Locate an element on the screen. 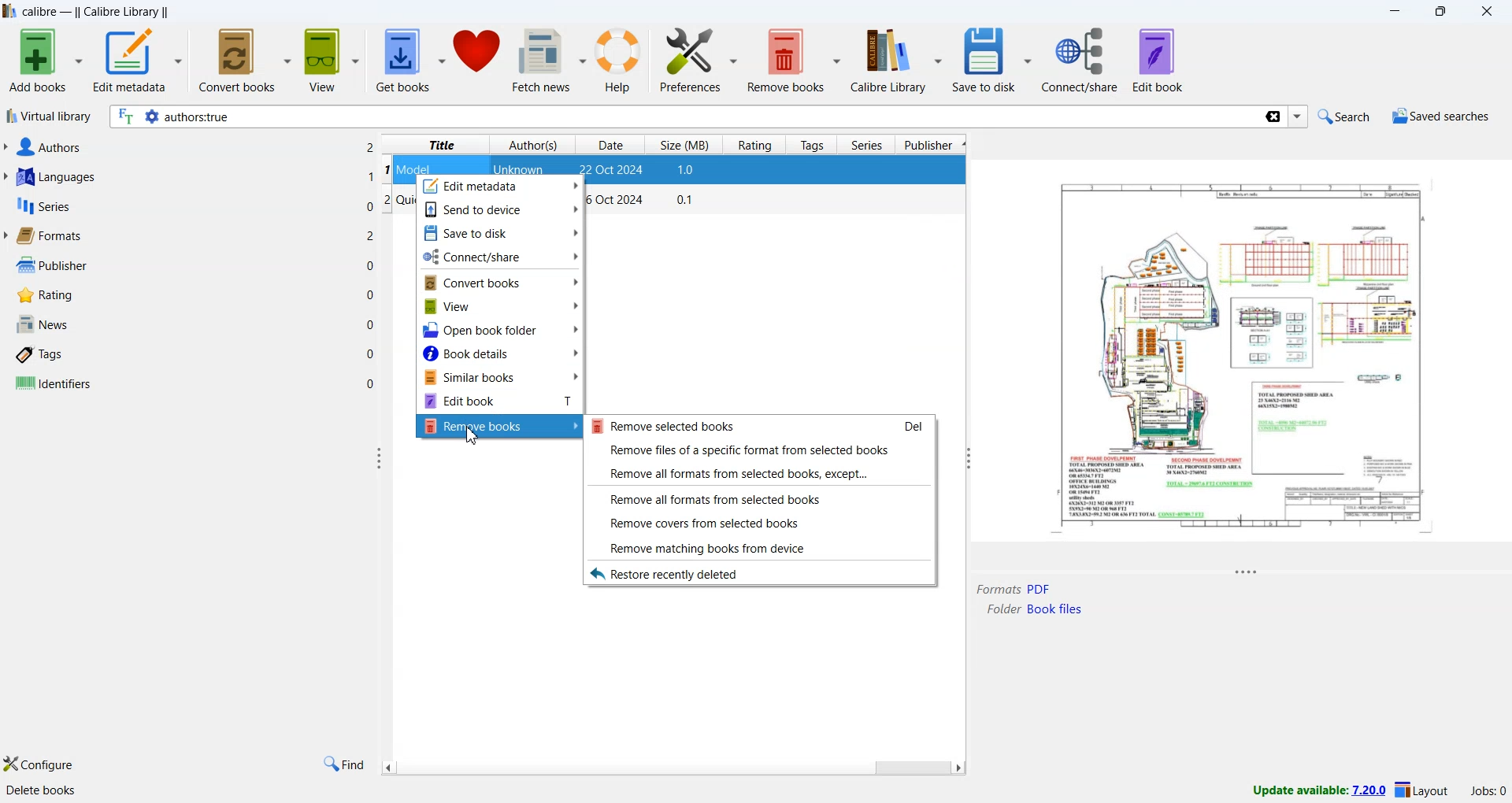 The image size is (1512, 803). Similar books is located at coordinates (501, 377).